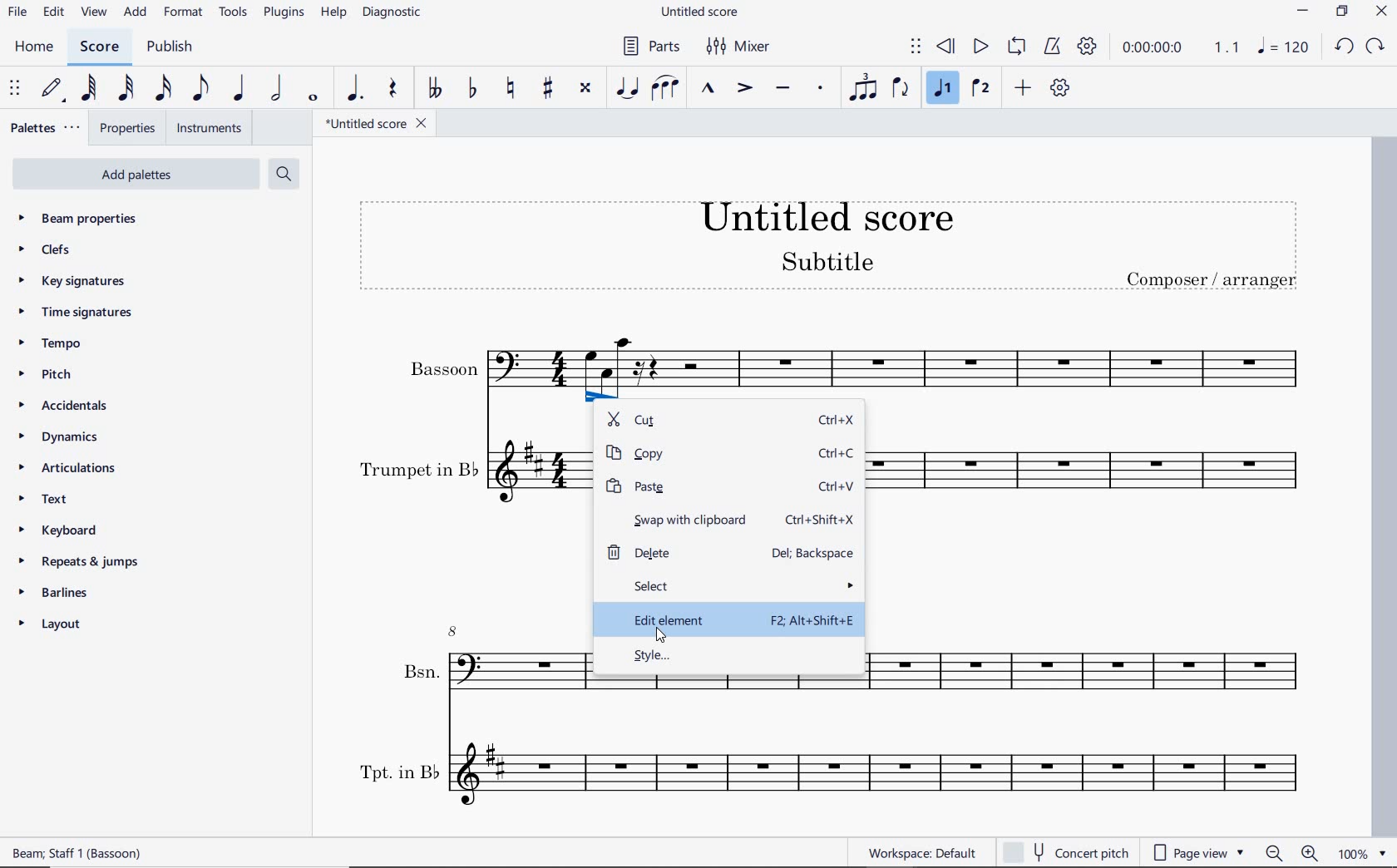  I want to click on Trumpet in B, so click(1089, 484).